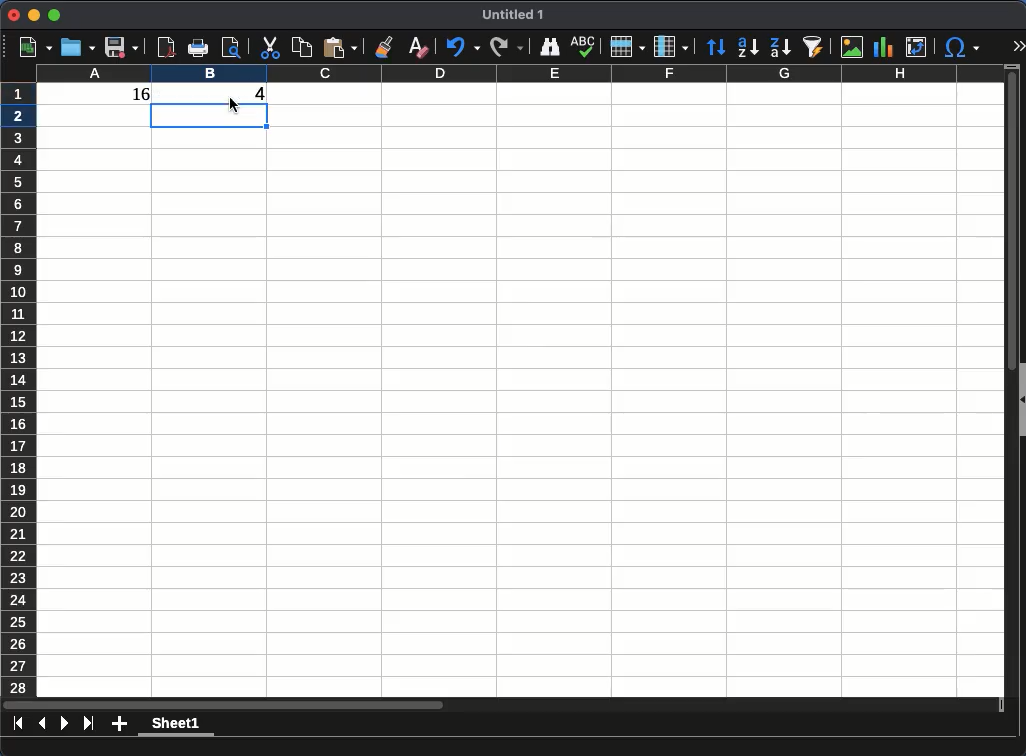 The image size is (1026, 756). I want to click on save, so click(121, 49).